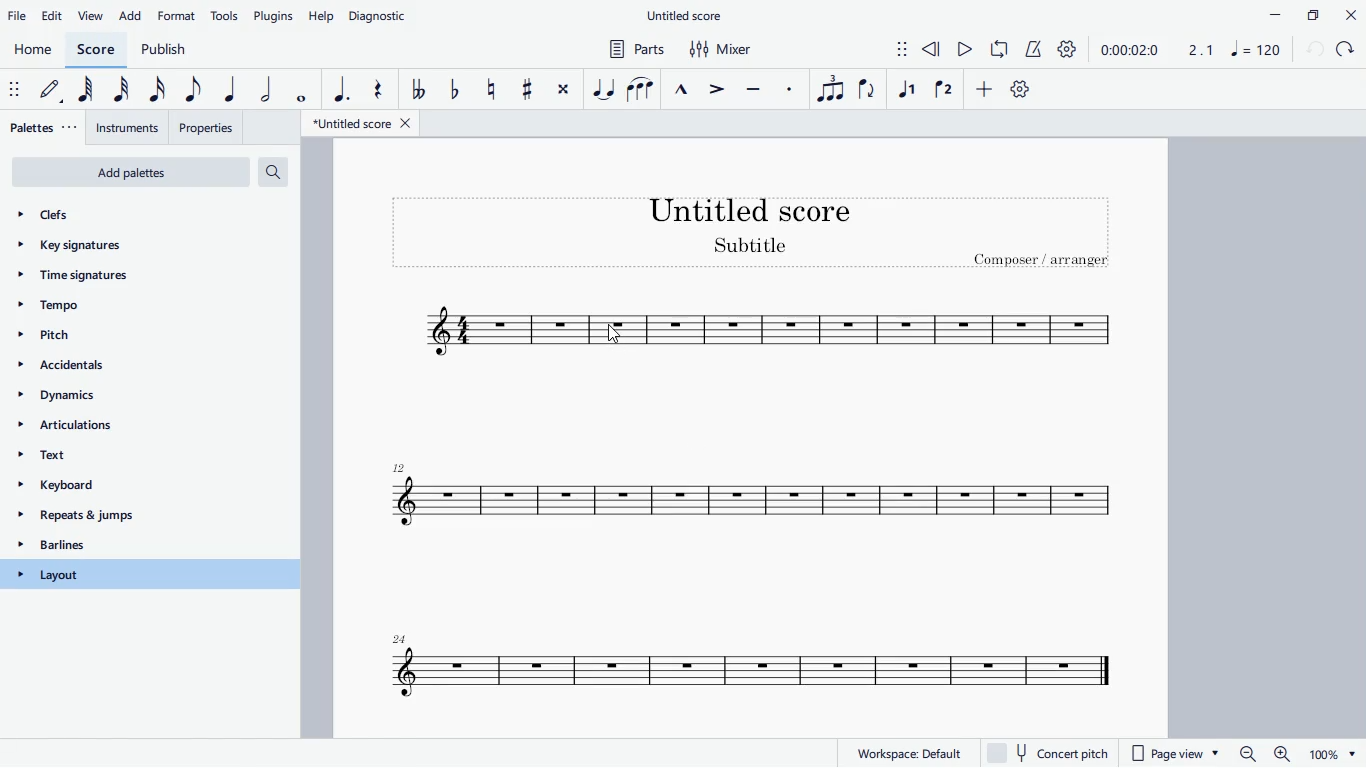 Image resolution: width=1366 pixels, height=768 pixels. I want to click on move, so click(890, 47).